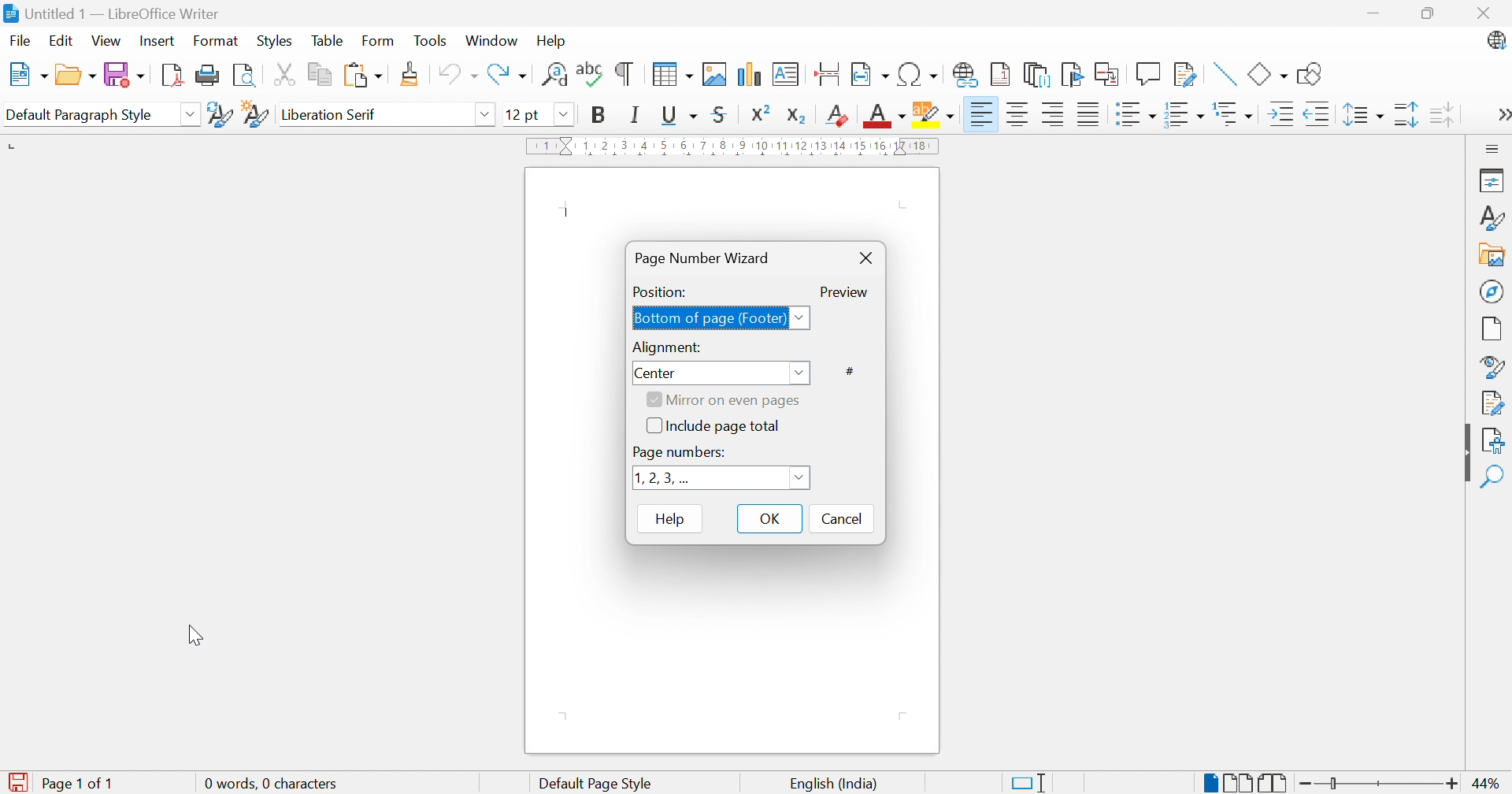  Describe the element at coordinates (458, 75) in the screenshot. I see `Undo` at that location.